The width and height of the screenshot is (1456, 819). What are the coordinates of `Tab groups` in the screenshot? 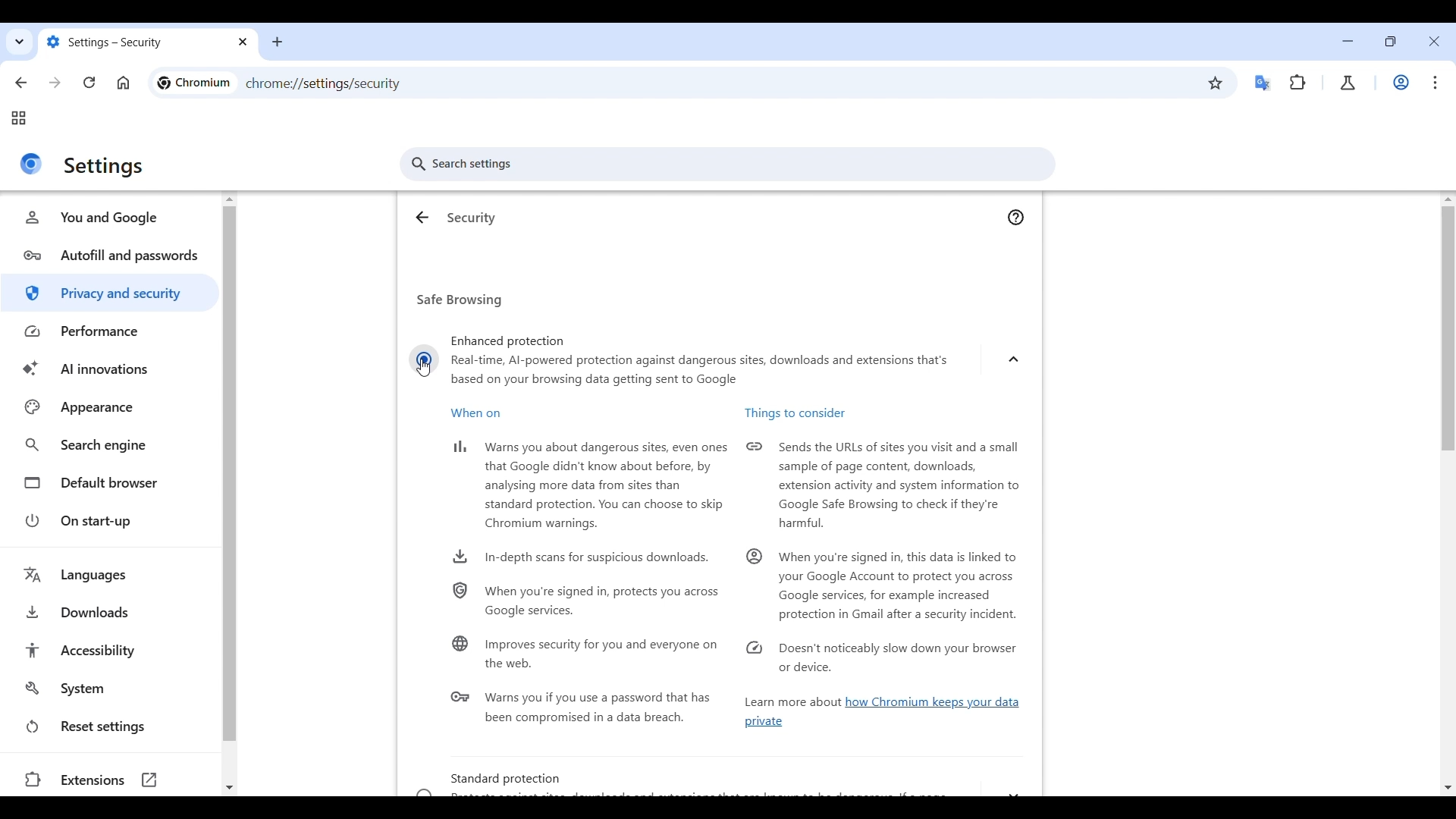 It's located at (18, 118).